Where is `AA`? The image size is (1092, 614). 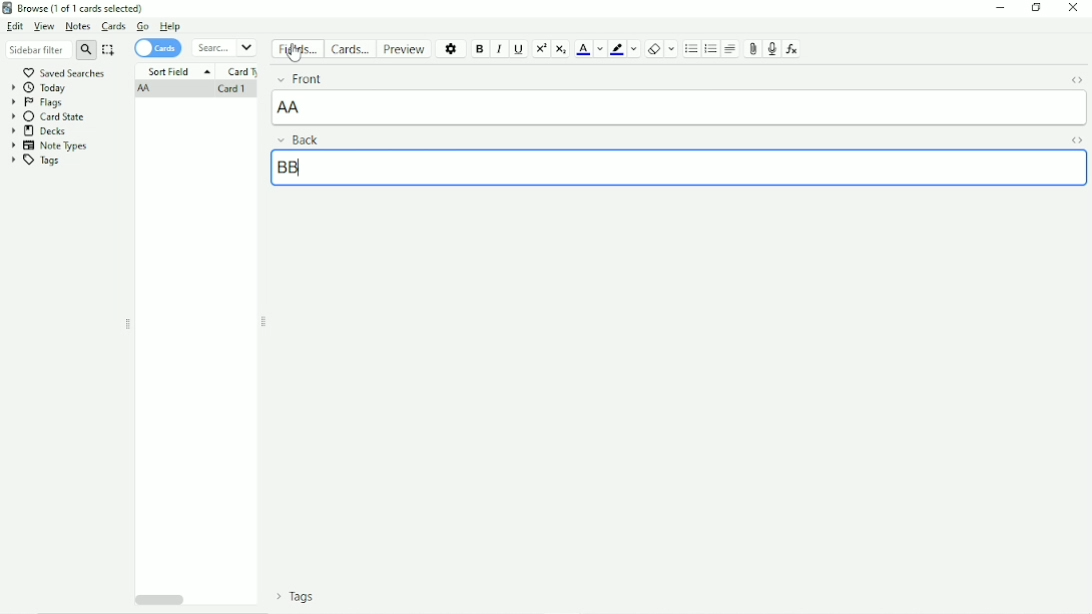
AA is located at coordinates (291, 107).